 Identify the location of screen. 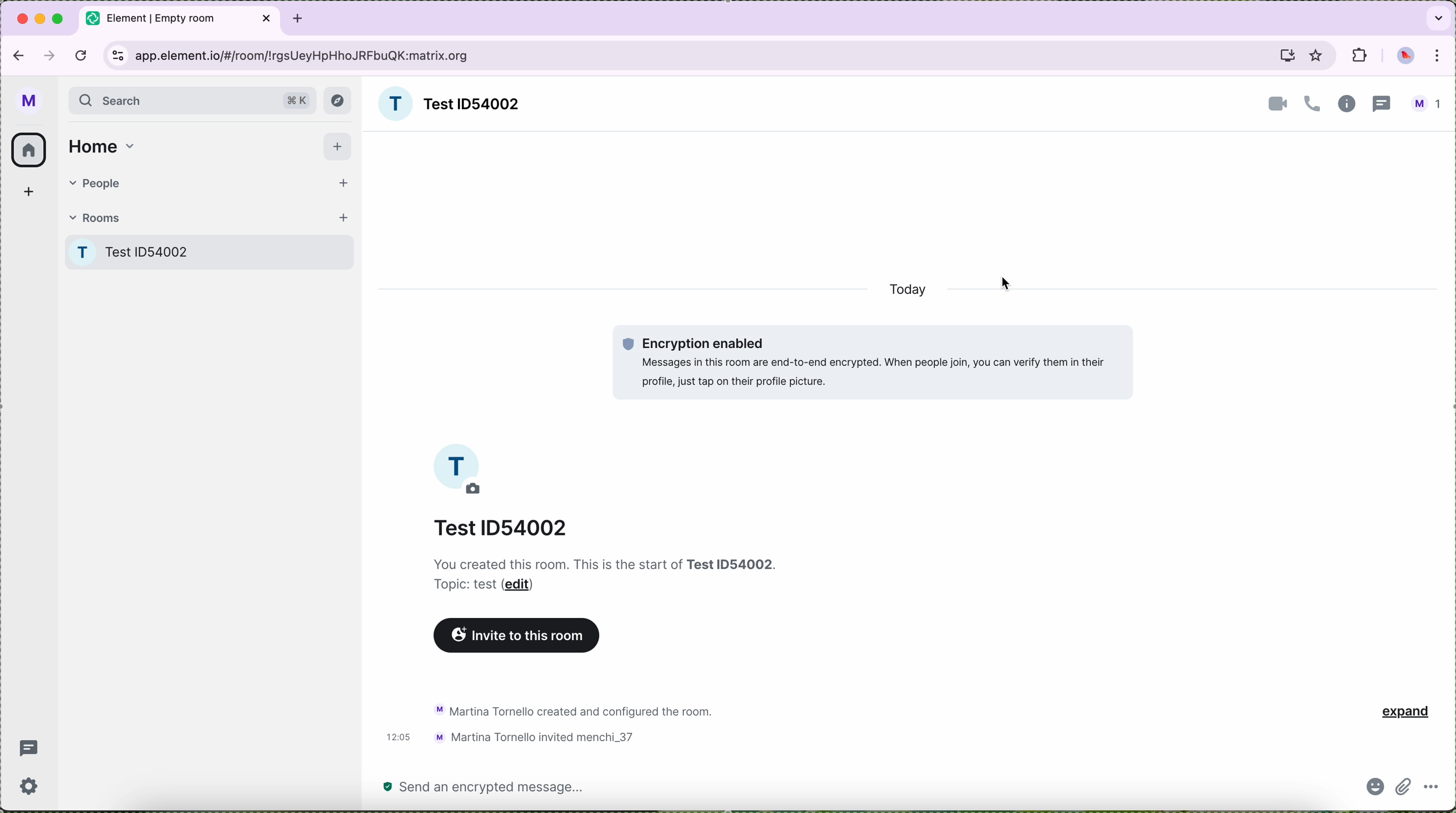
(1285, 58).